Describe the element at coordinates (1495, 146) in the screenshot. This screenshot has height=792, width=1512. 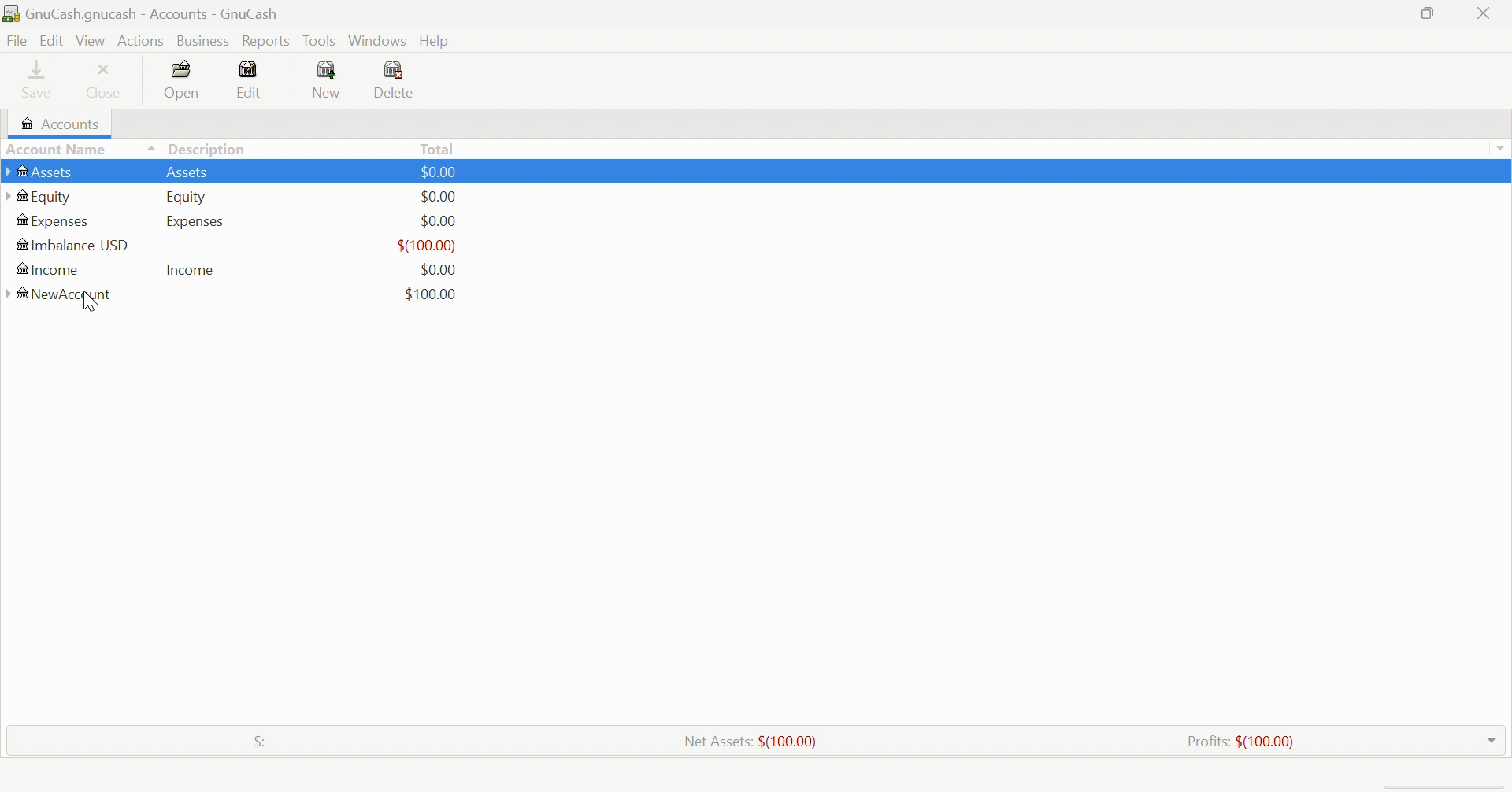
I see `Drop Down` at that location.